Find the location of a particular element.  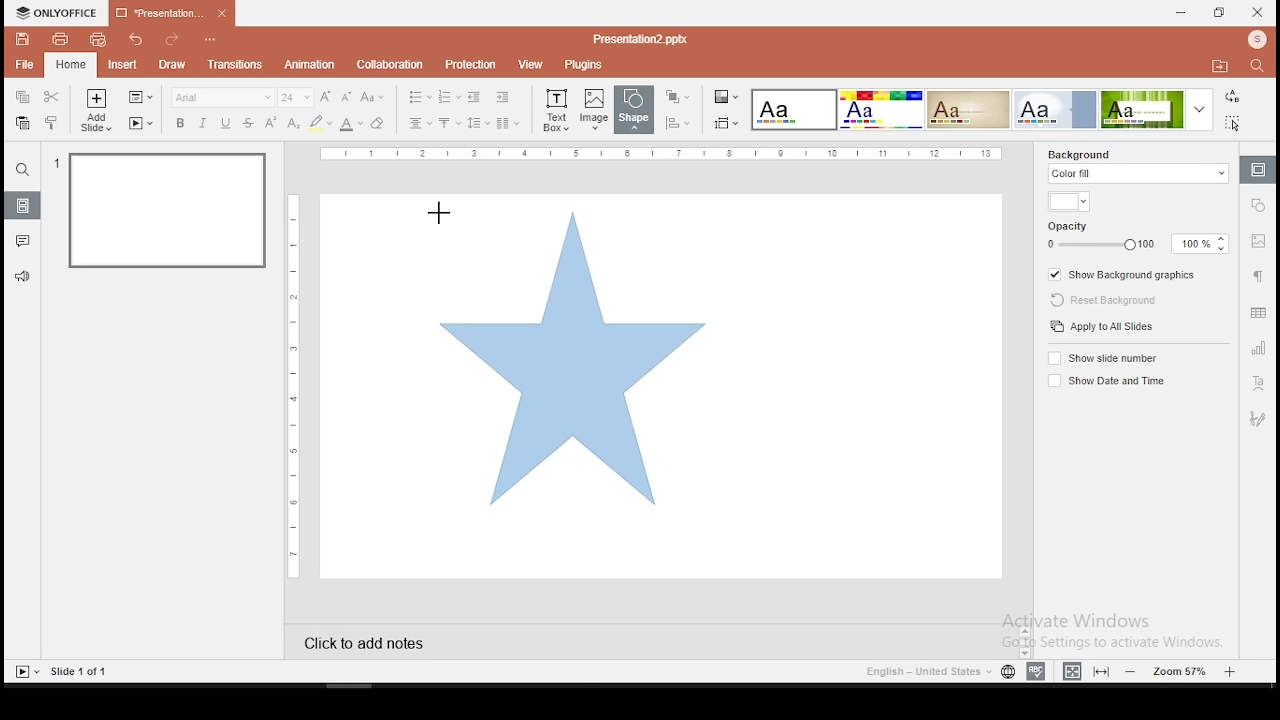

english - united states is located at coordinates (927, 674).